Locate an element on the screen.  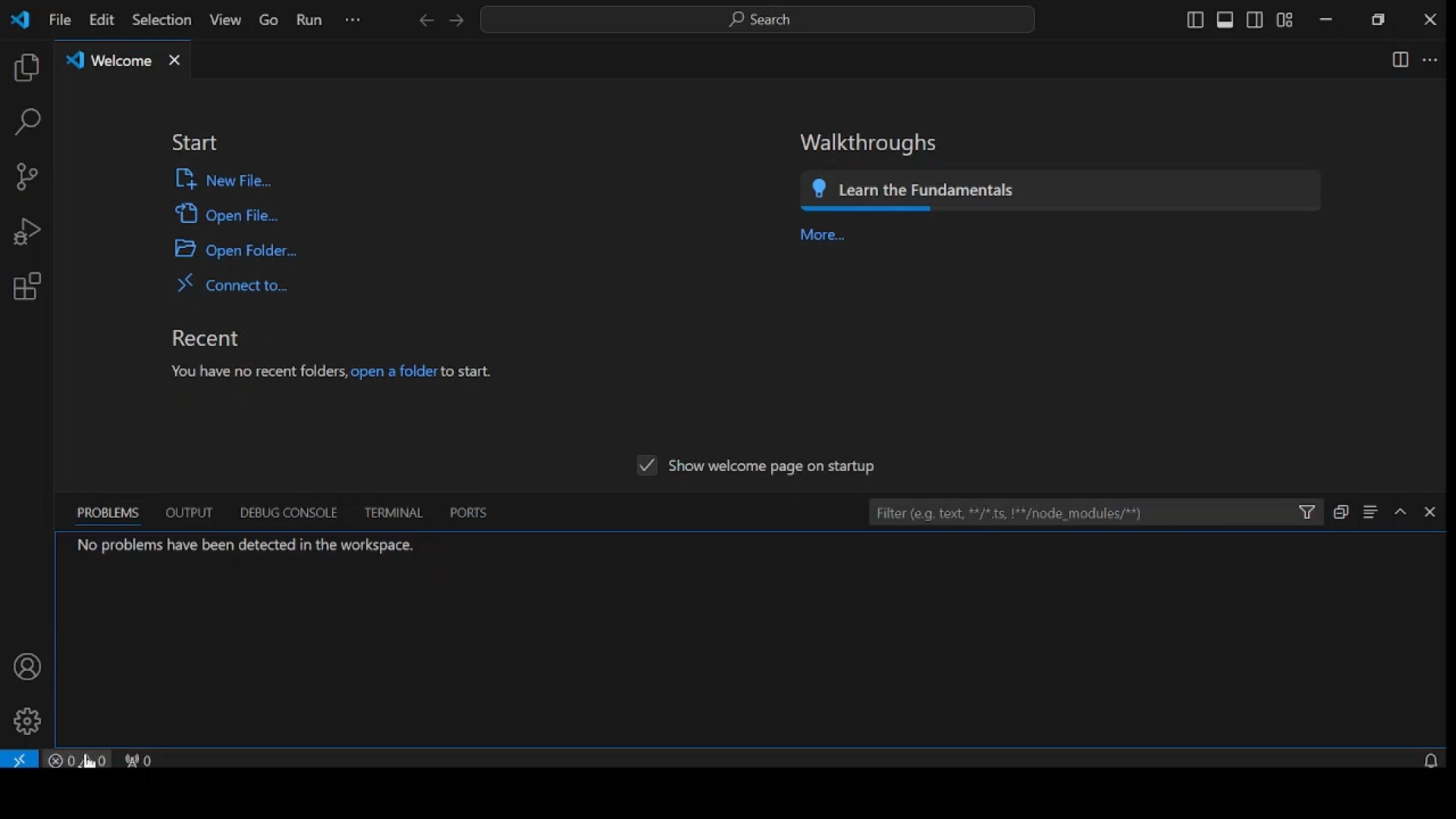
search is located at coordinates (757, 20).